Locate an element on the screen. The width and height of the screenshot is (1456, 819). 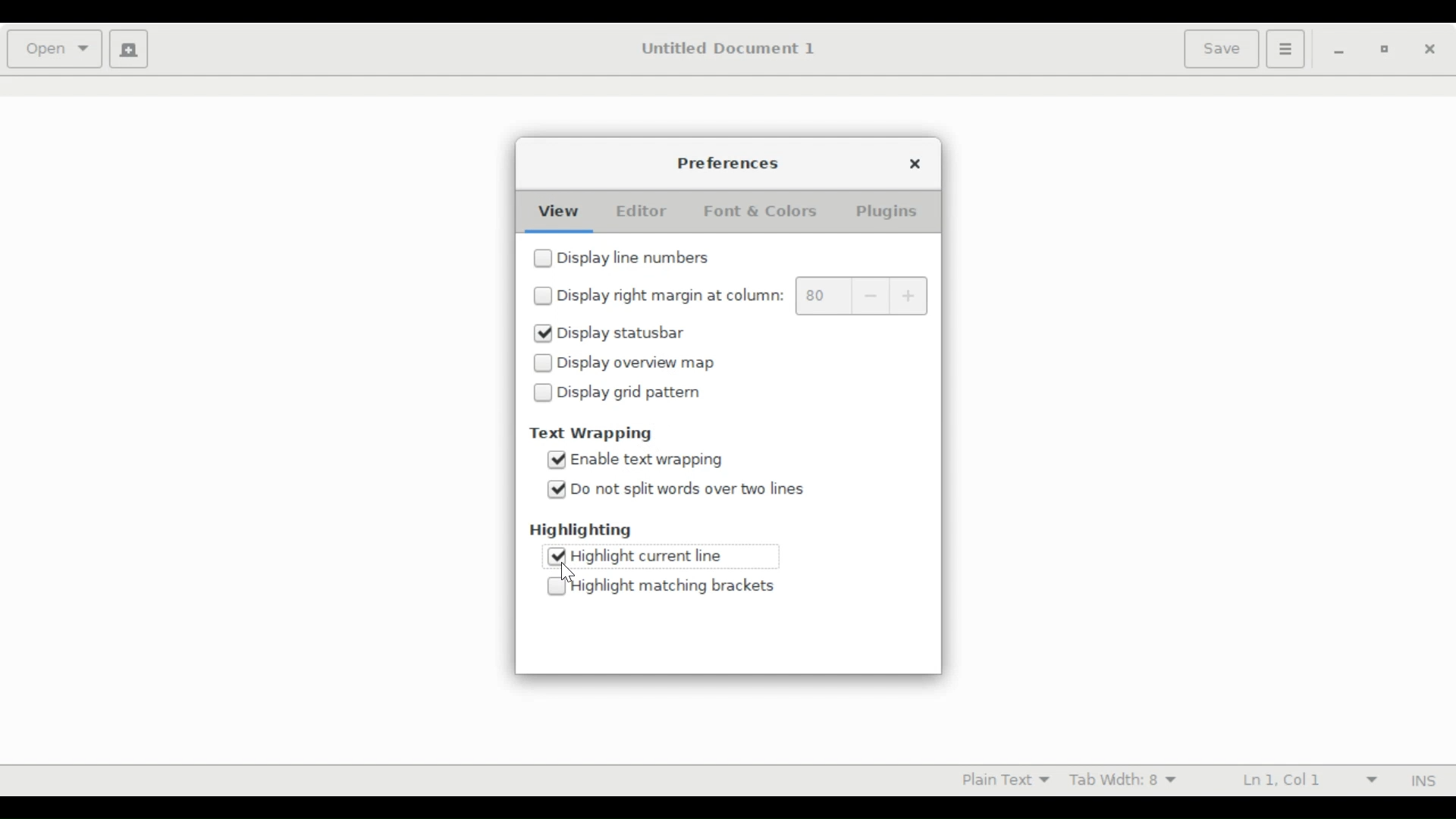
Highlighting is located at coordinates (581, 530).